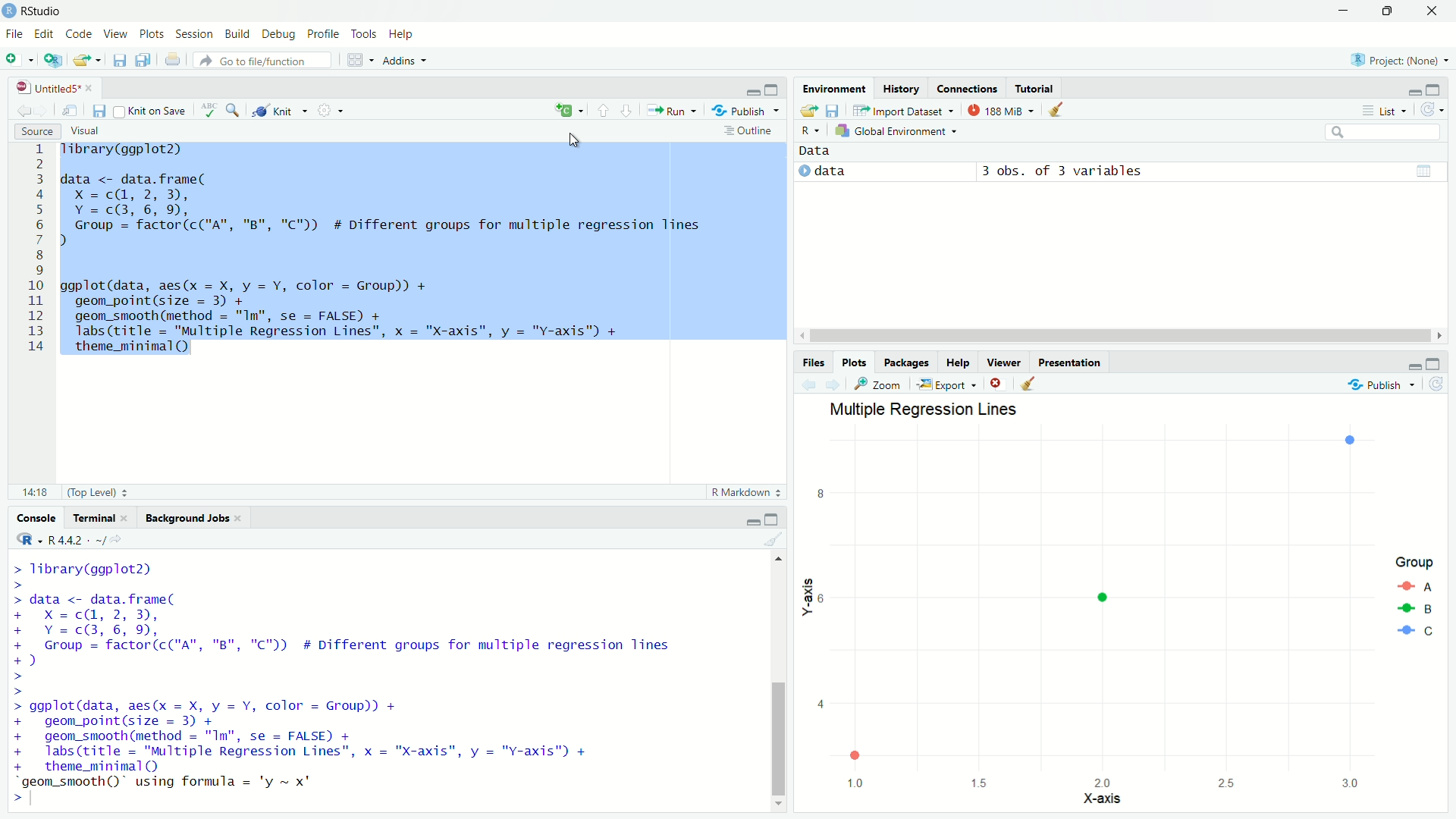 This screenshot has width=1456, height=819. Describe the element at coordinates (900, 110) in the screenshot. I see `Import Dataset` at that location.